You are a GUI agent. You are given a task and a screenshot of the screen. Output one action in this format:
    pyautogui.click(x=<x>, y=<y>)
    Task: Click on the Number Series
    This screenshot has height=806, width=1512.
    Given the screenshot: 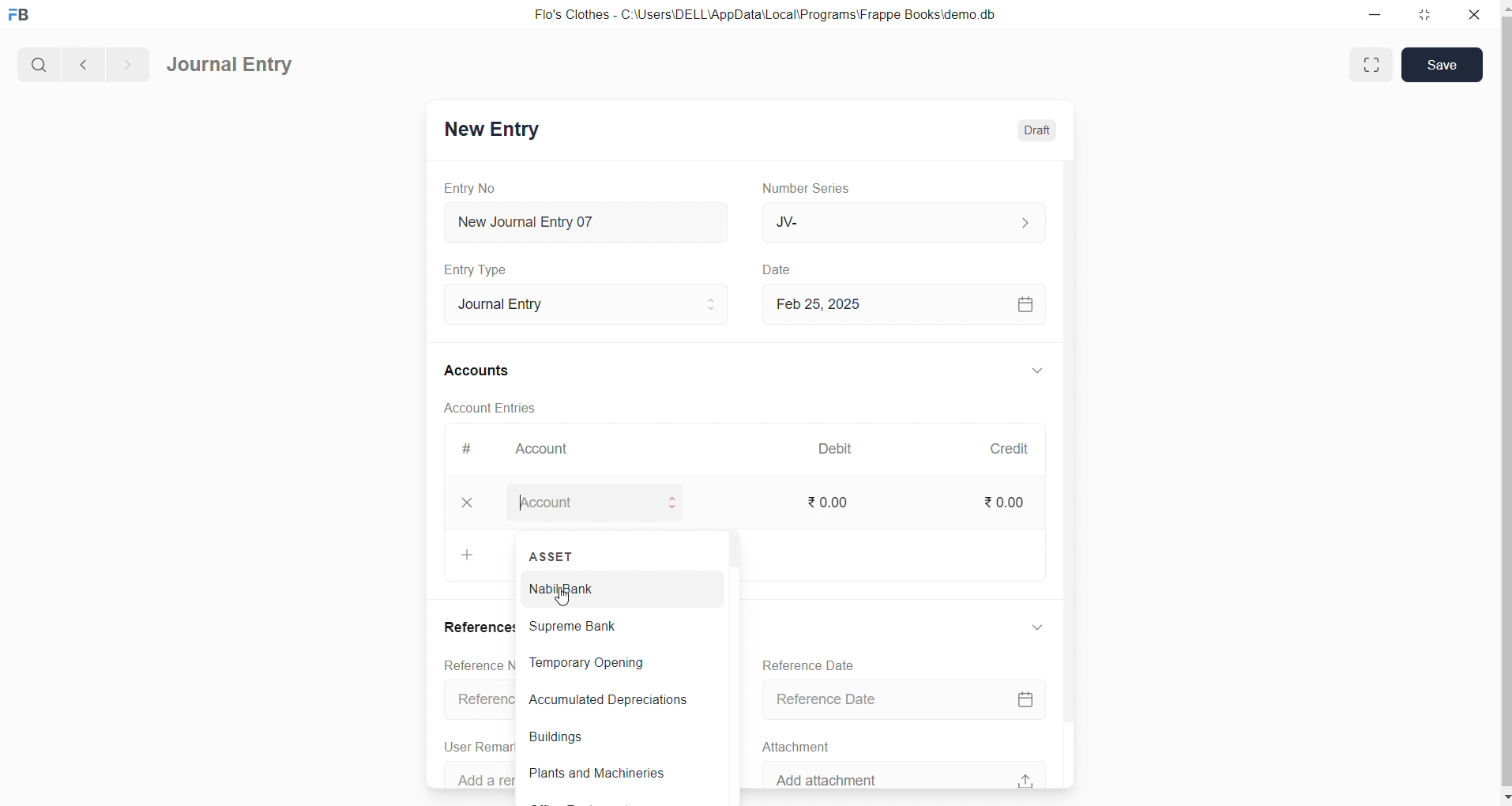 What is the action you would take?
    pyautogui.click(x=819, y=189)
    